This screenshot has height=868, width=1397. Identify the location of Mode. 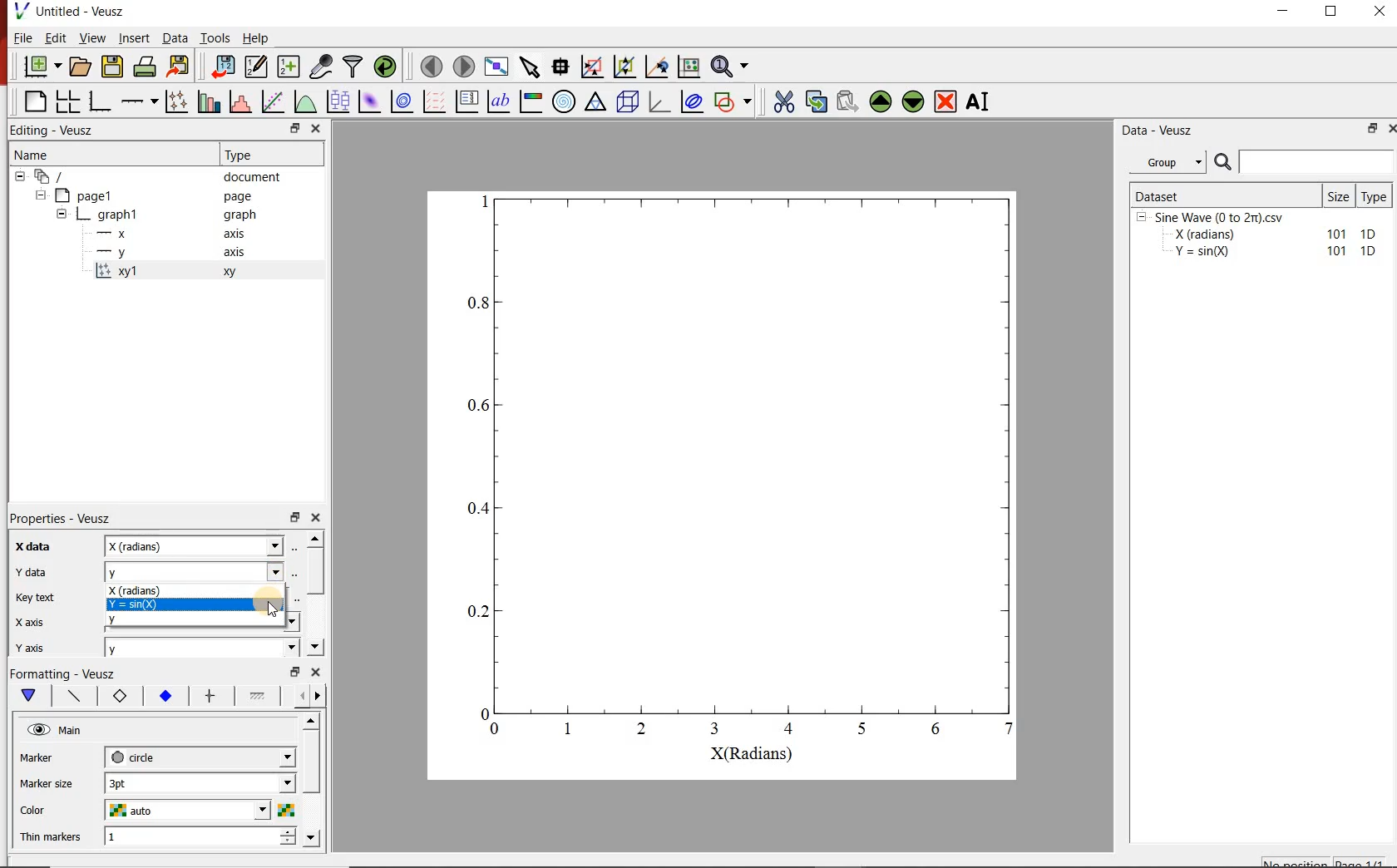
(29, 644).